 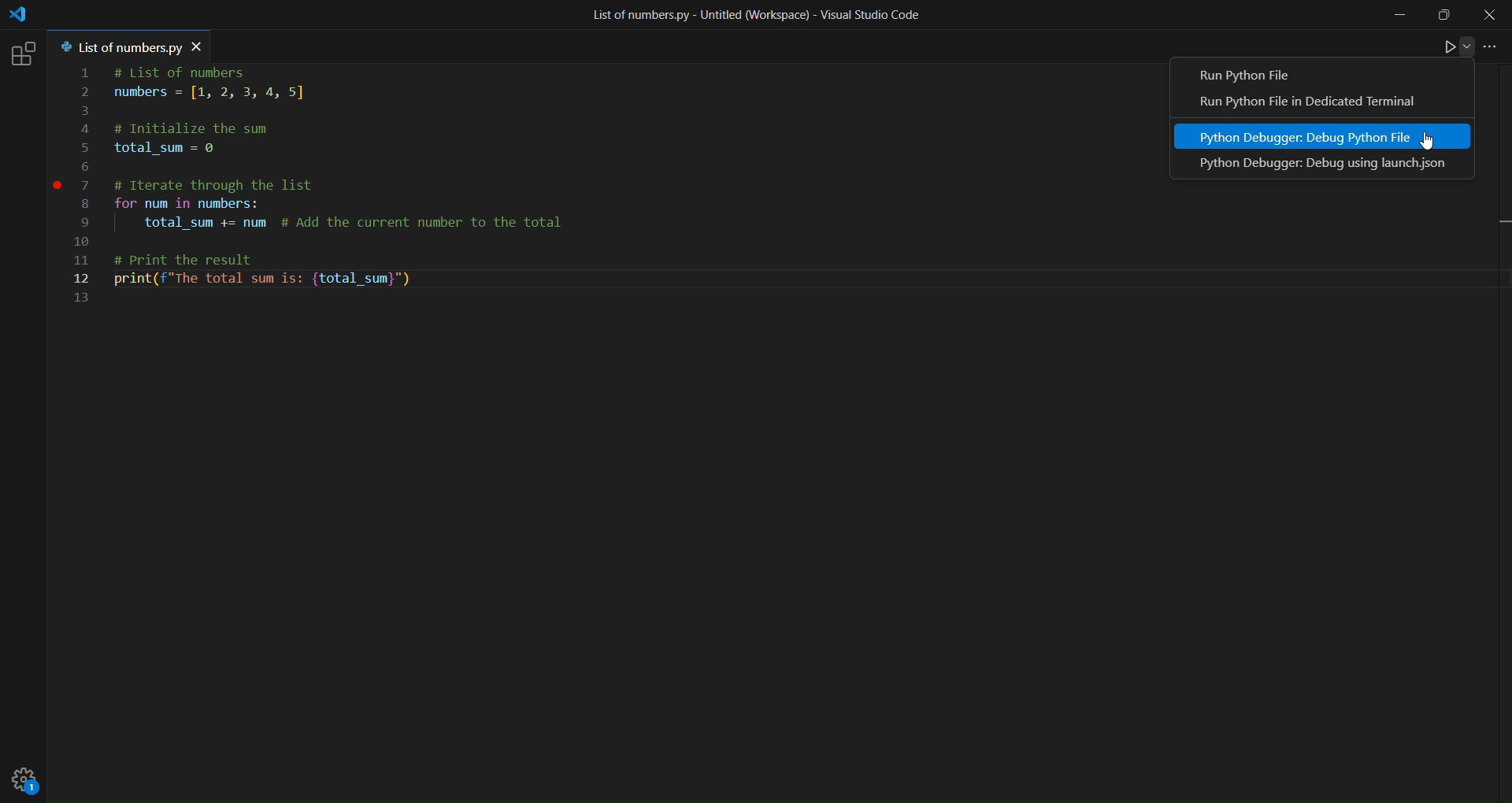 What do you see at coordinates (1492, 14) in the screenshot?
I see `close` at bounding box center [1492, 14].